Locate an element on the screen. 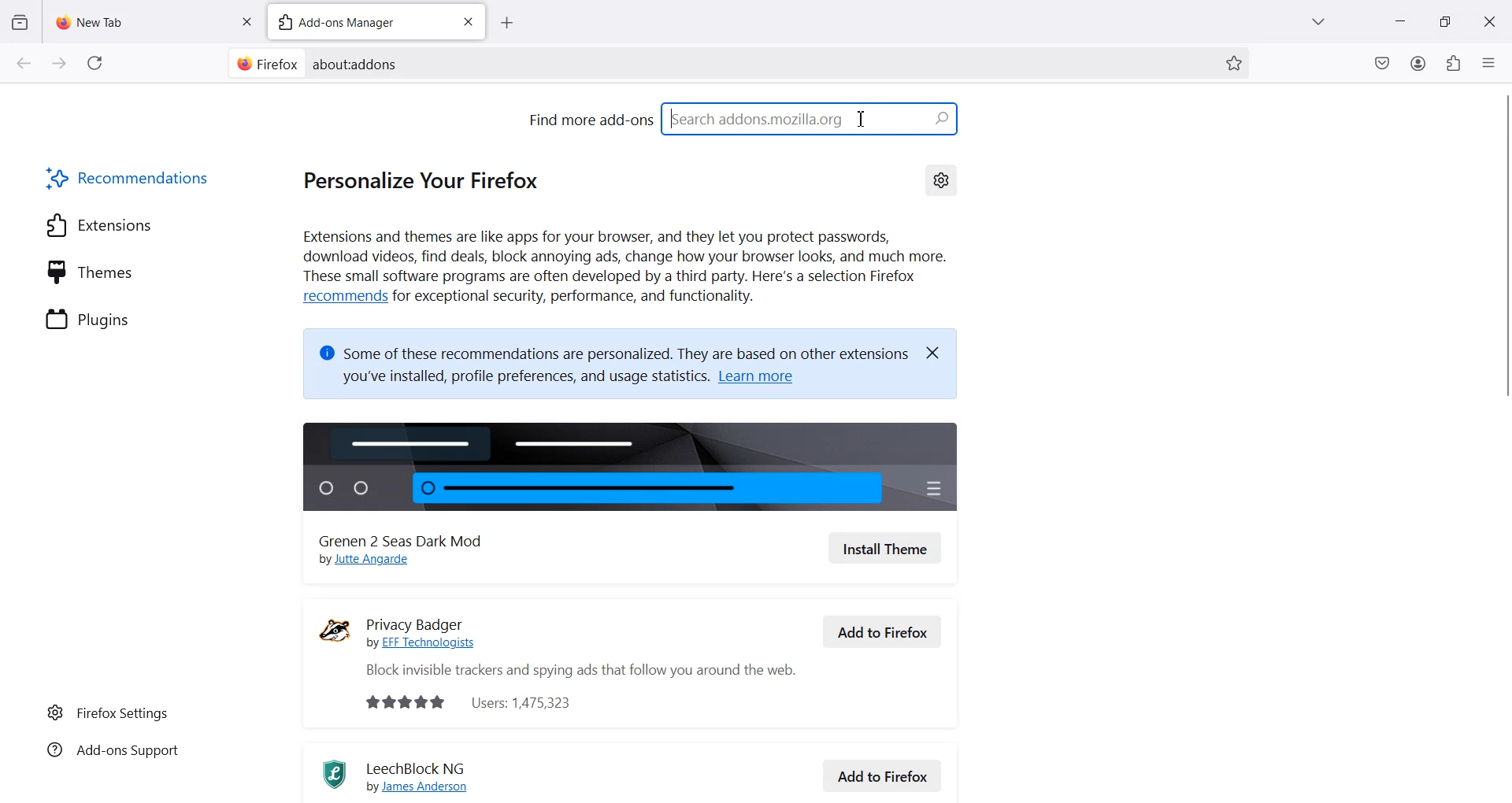 This screenshot has height=803, width=1512. Close is located at coordinates (1489, 20).